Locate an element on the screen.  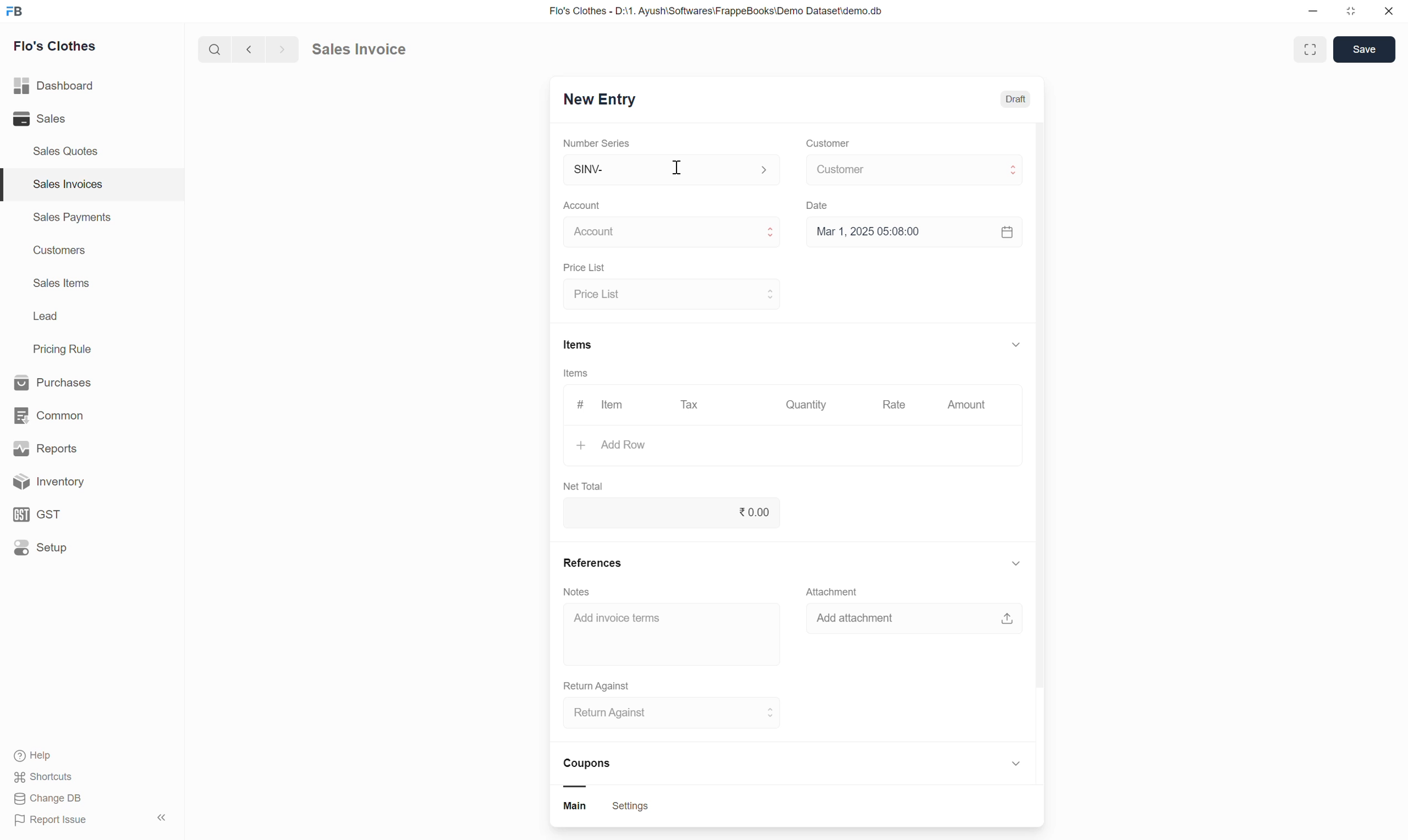
settings is located at coordinates (631, 808).